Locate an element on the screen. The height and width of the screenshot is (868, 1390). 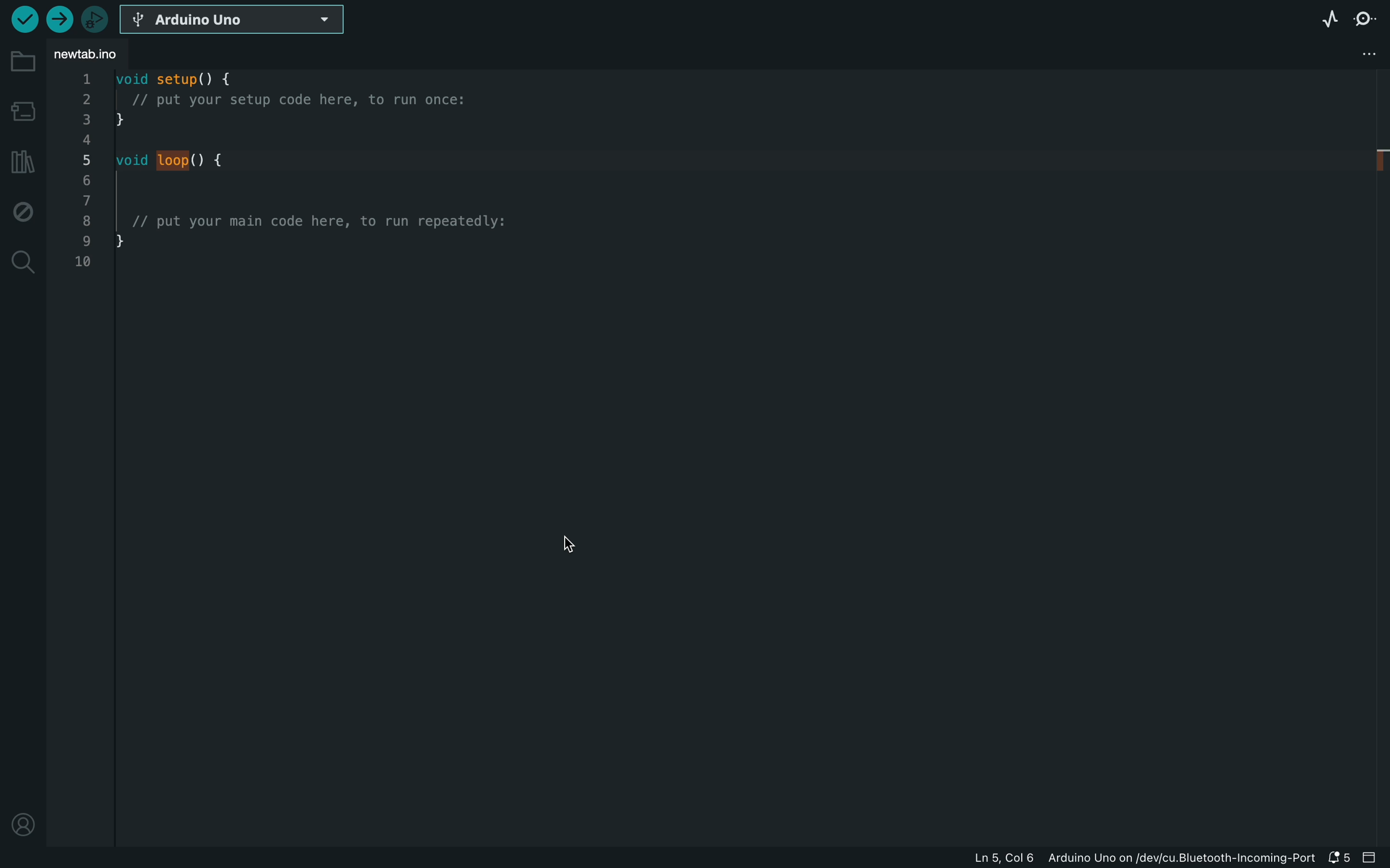
file tab is located at coordinates (93, 56).